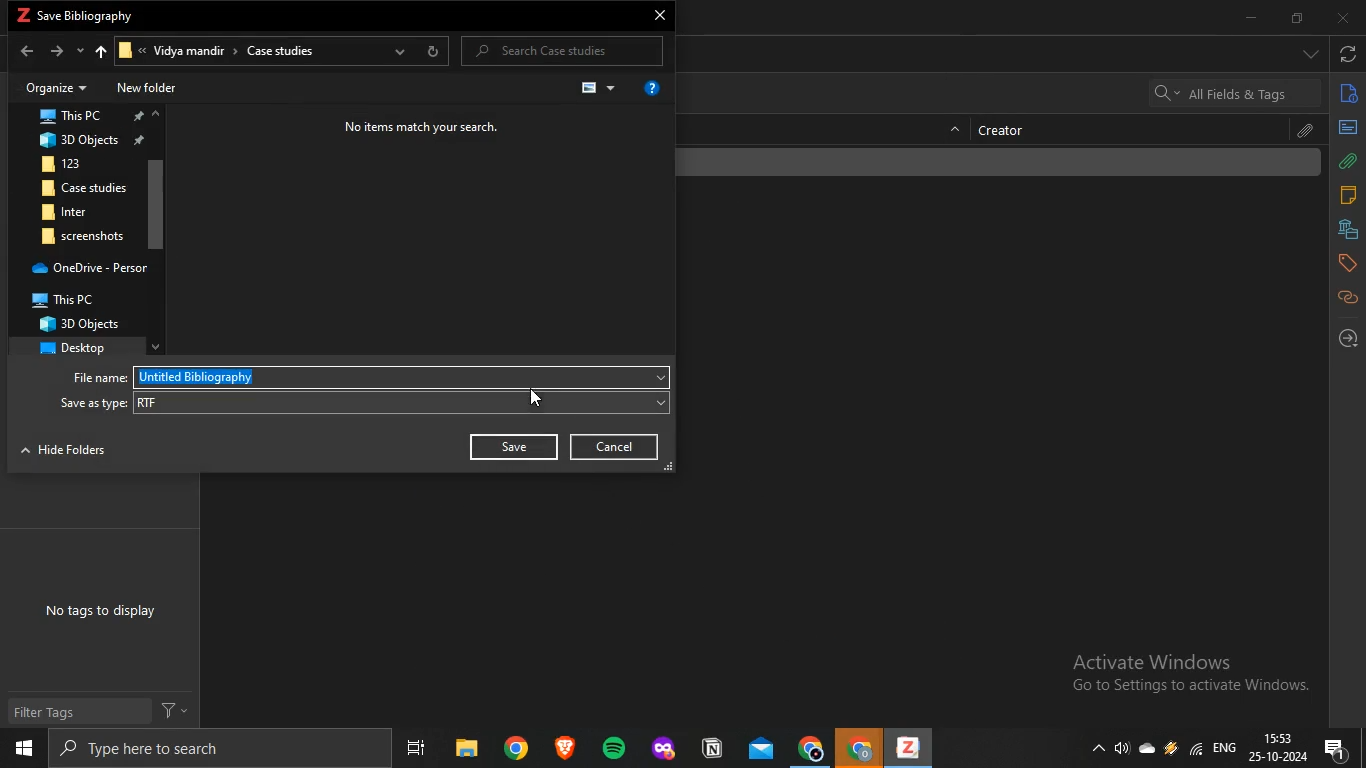 The height and width of the screenshot is (768, 1366). What do you see at coordinates (1348, 228) in the screenshot?
I see `libraries and collections` at bounding box center [1348, 228].